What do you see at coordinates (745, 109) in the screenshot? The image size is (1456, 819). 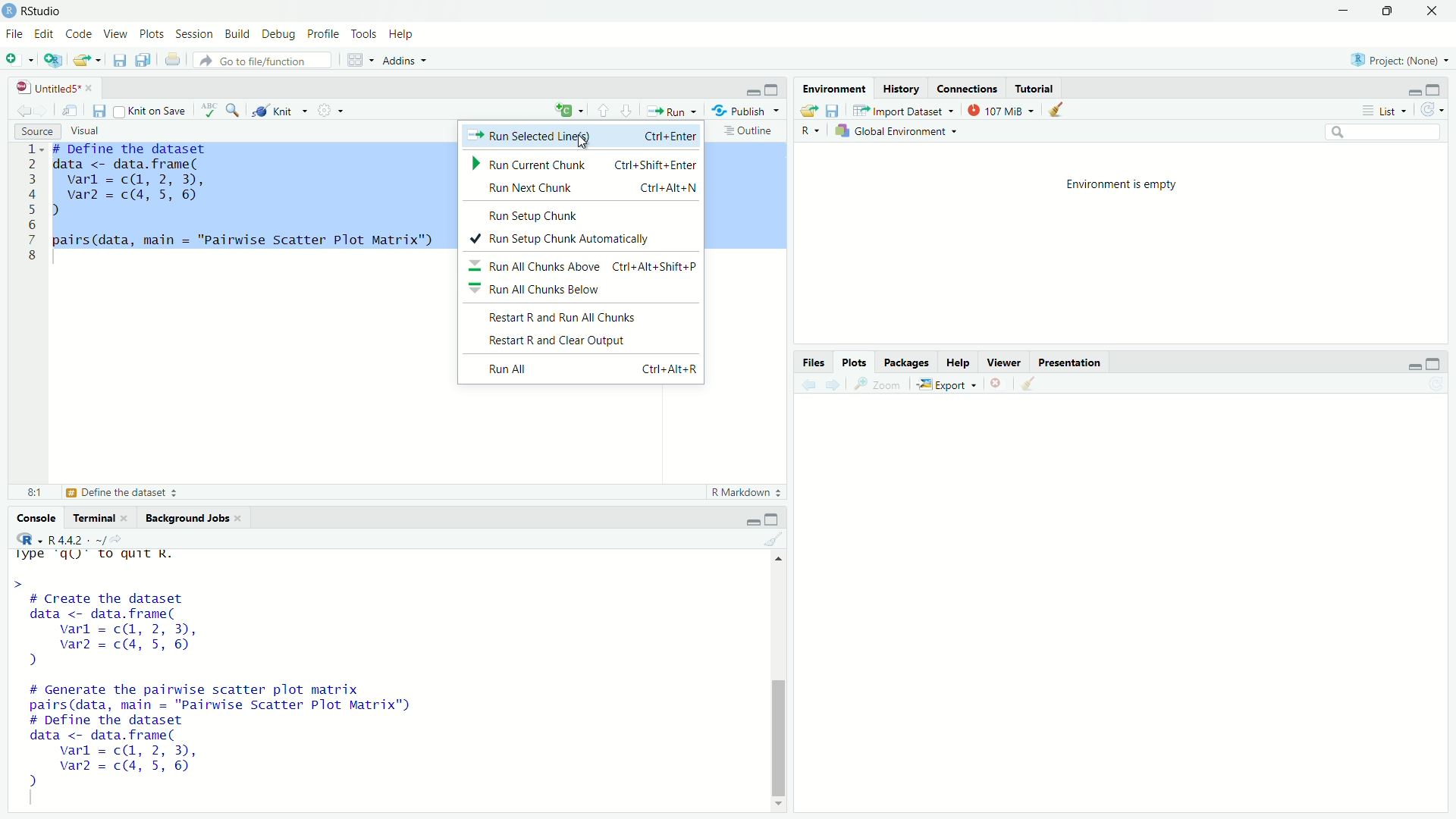 I see `Publish` at bounding box center [745, 109].